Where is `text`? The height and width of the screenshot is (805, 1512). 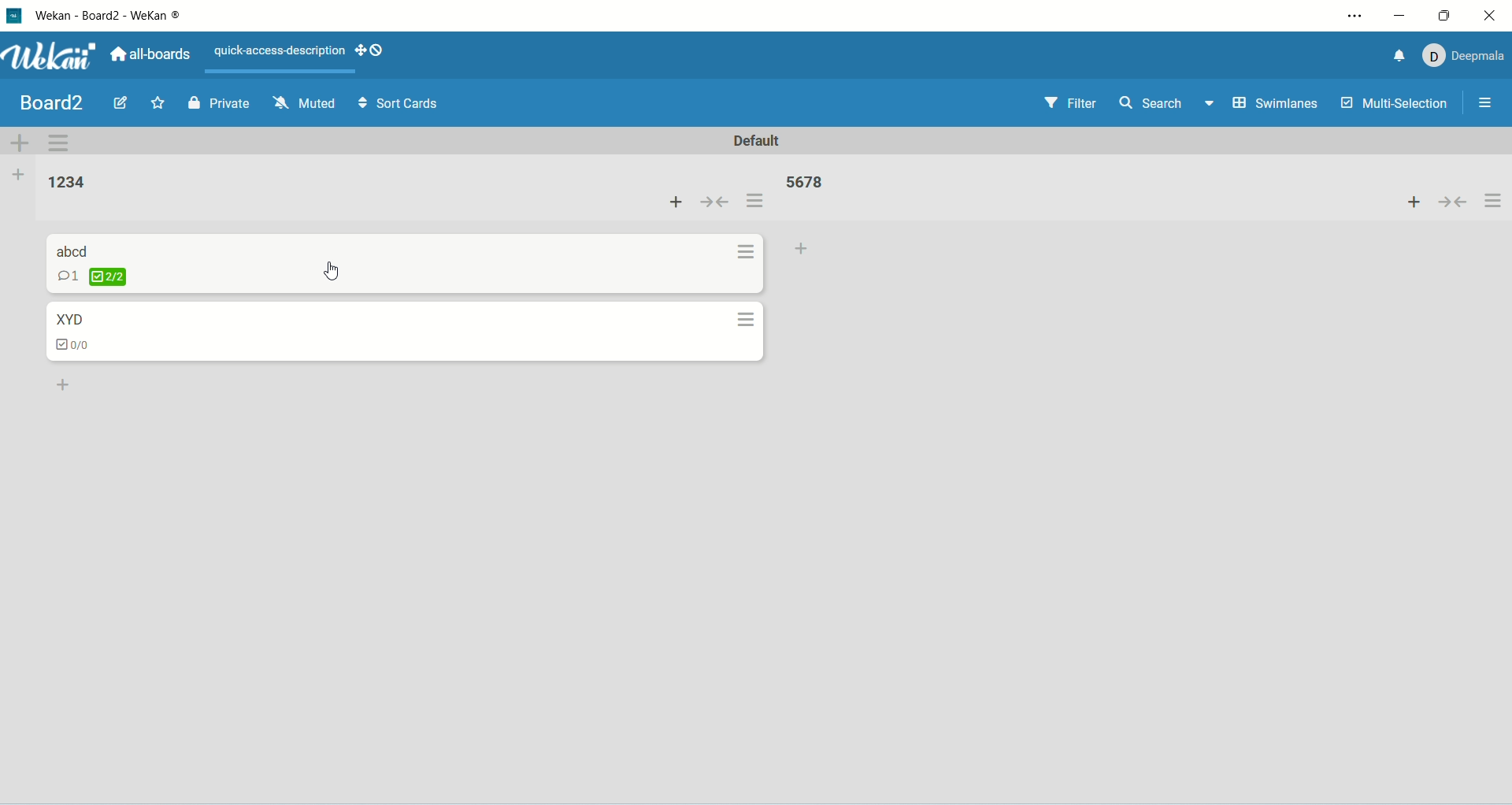 text is located at coordinates (280, 51).